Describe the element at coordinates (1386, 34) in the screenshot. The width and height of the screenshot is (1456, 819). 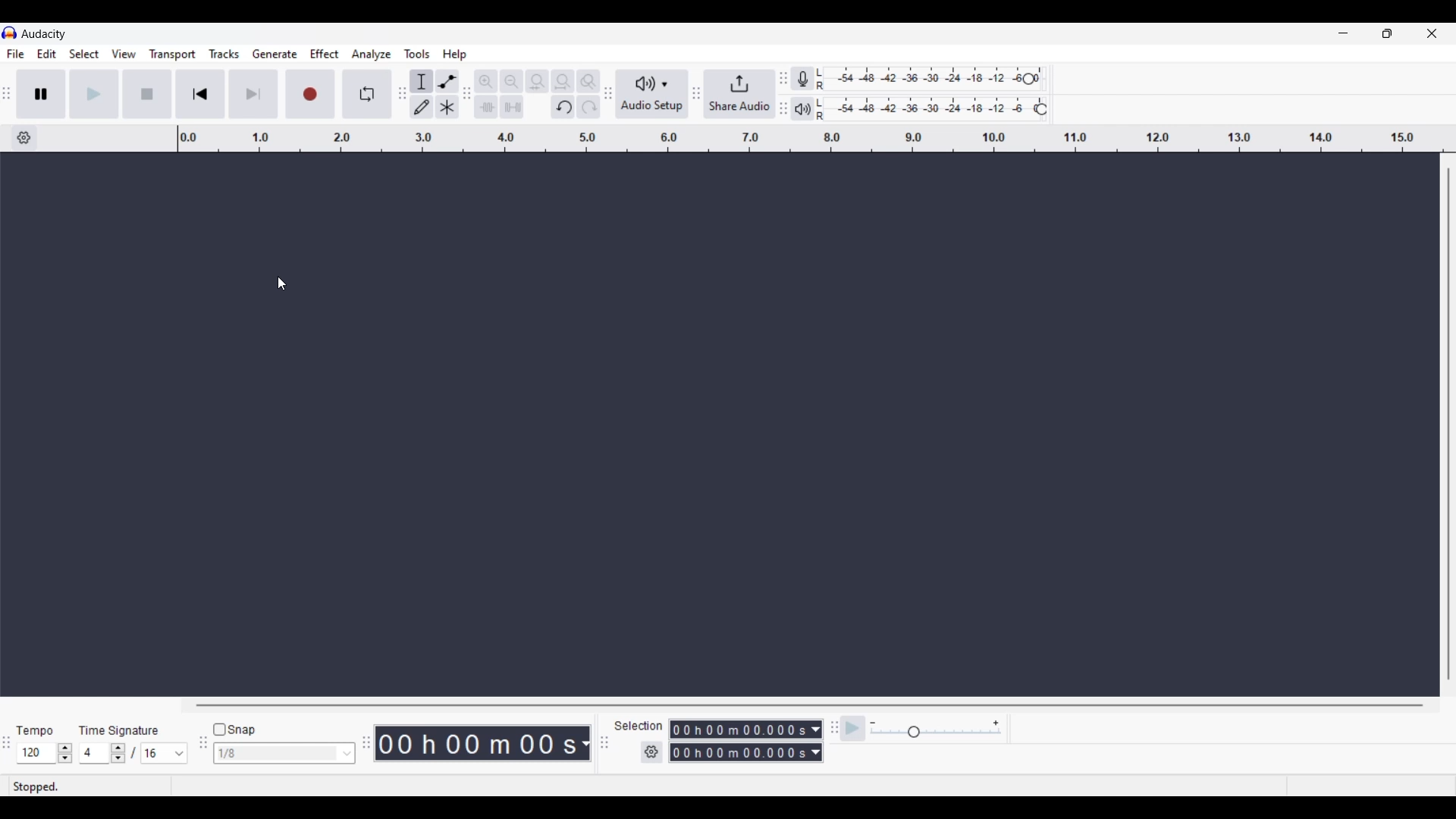
I see `Show interface in a smaller tab` at that location.